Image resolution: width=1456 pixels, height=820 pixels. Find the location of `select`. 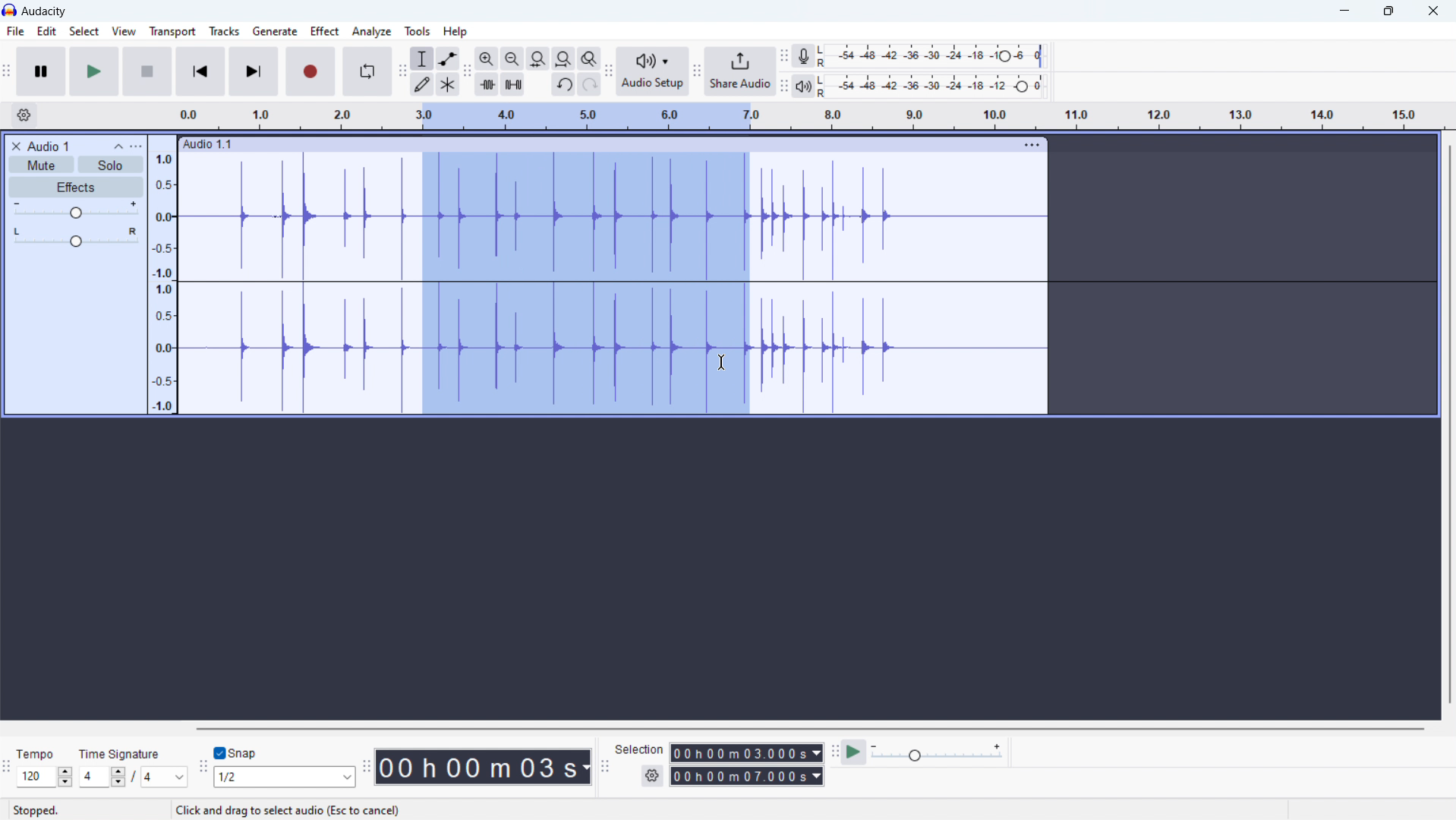

select is located at coordinates (84, 30).